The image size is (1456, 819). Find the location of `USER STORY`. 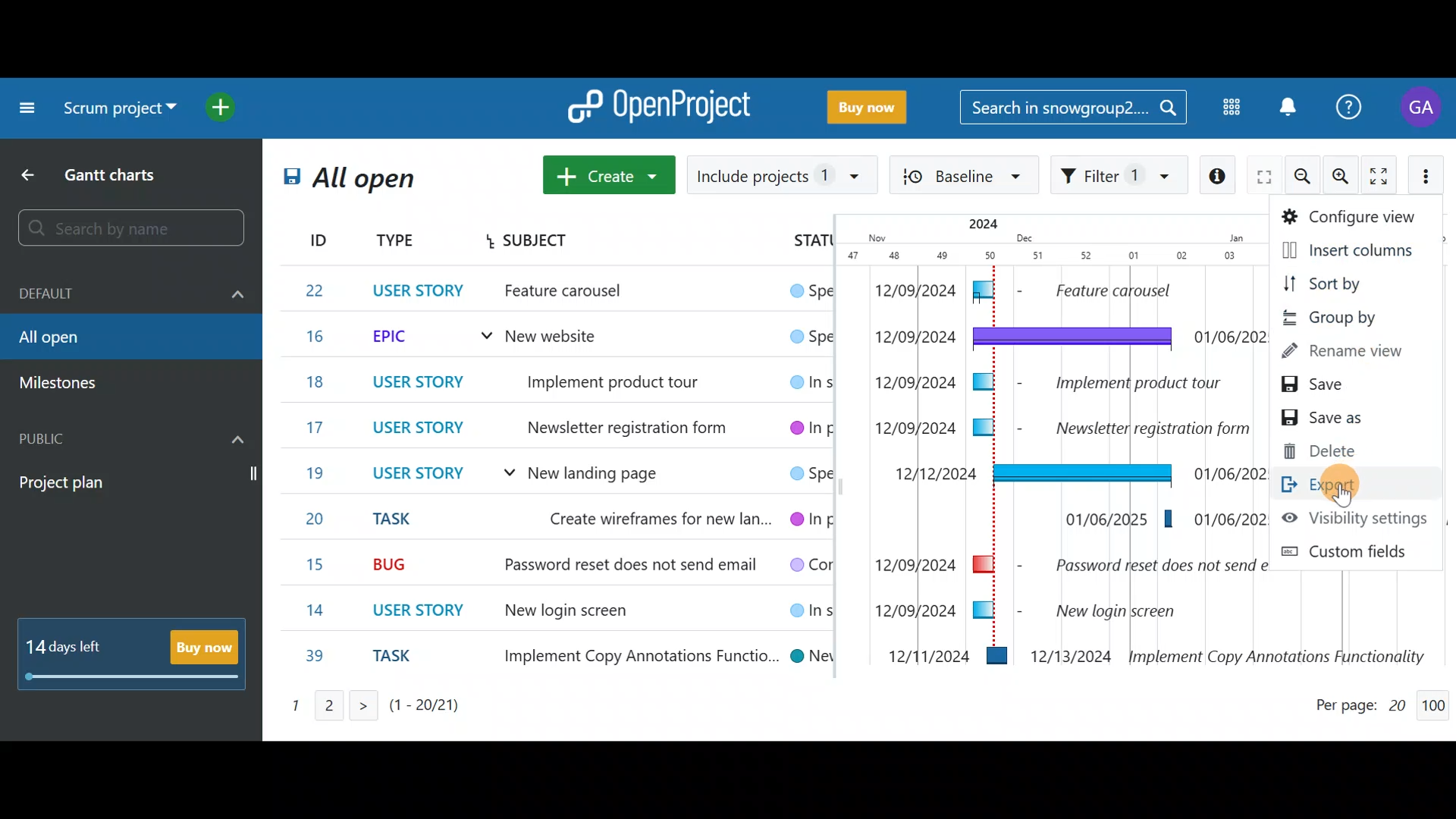

USER STORY is located at coordinates (422, 288).